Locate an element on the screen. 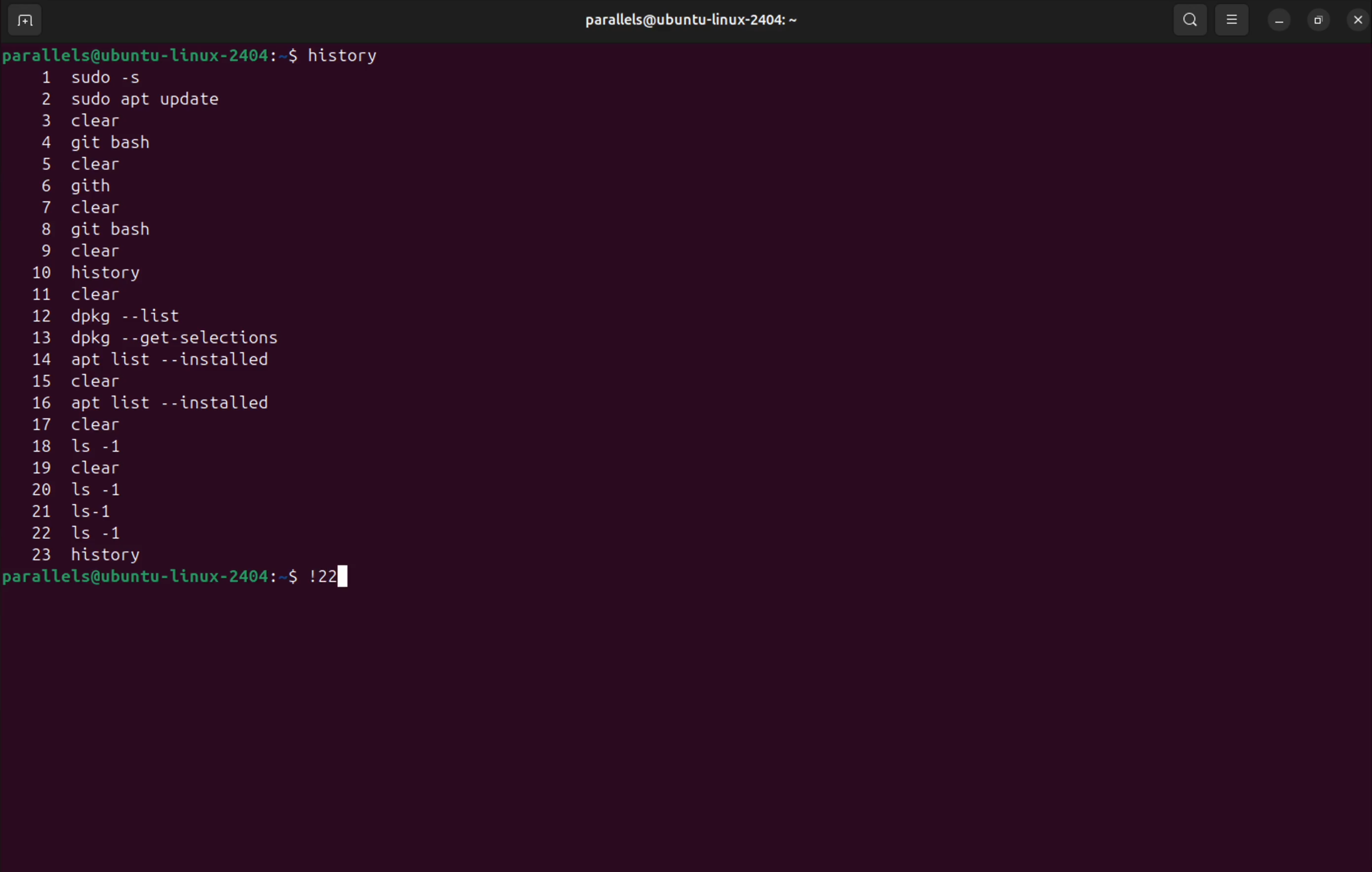 This screenshot has width=1372, height=872. add terminal is located at coordinates (25, 22).